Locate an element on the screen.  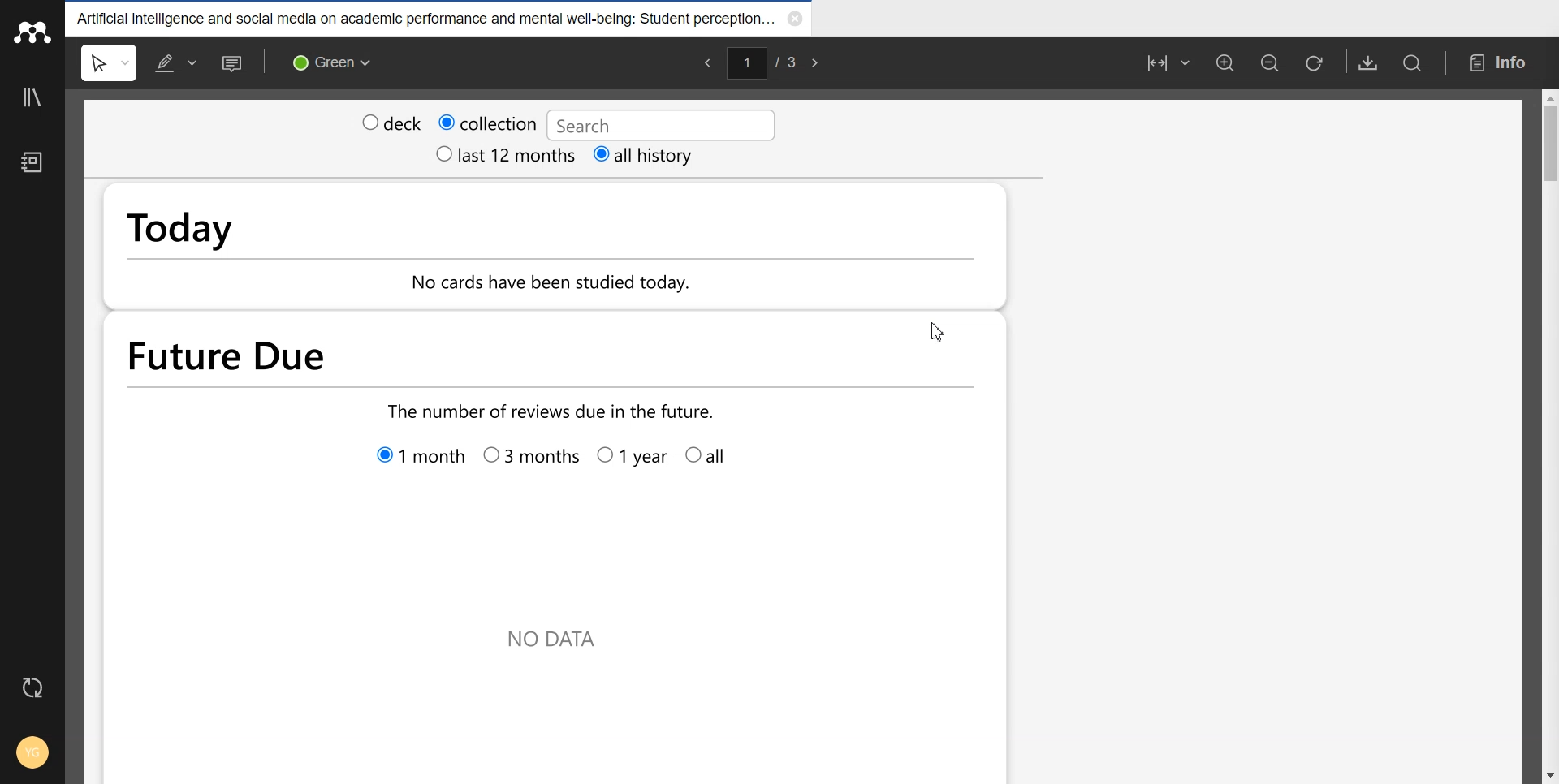
Artificial intelligence and social media on academic performance and mental well-being: Student perception... is located at coordinates (428, 17).